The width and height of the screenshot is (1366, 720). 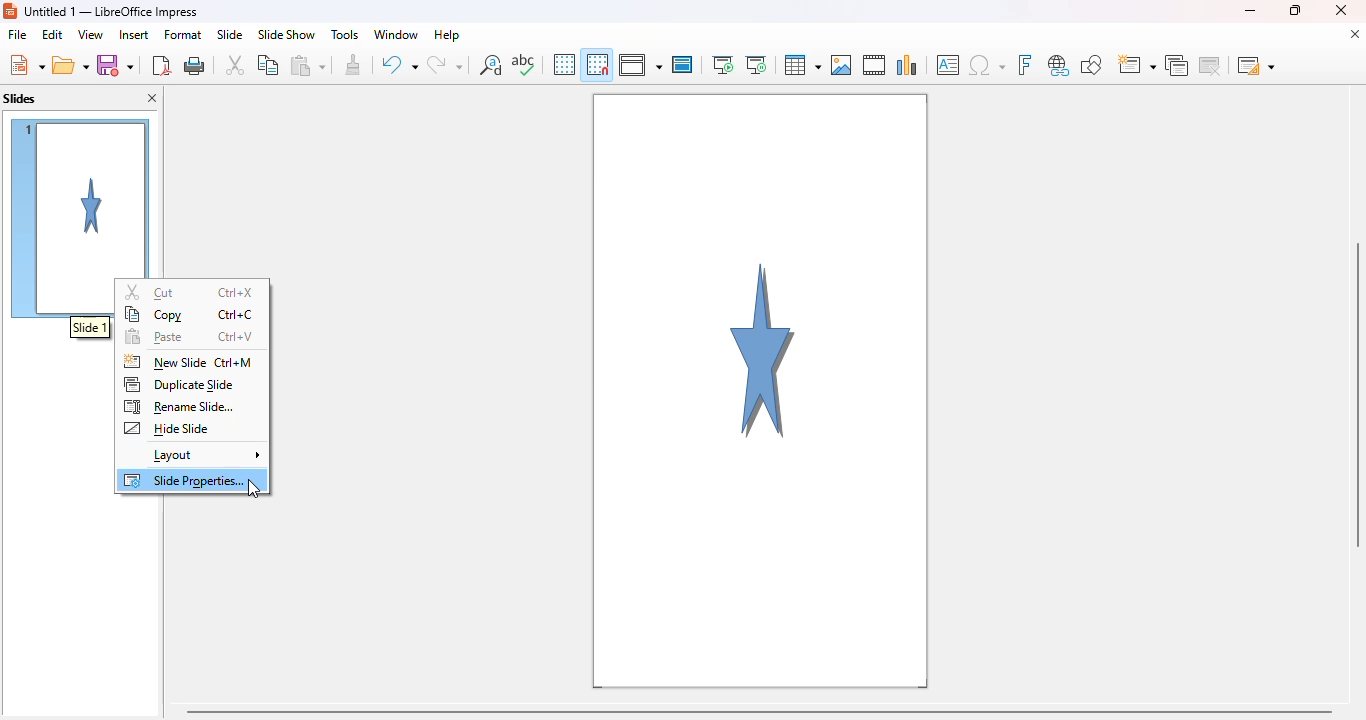 What do you see at coordinates (343, 35) in the screenshot?
I see `tools` at bounding box center [343, 35].